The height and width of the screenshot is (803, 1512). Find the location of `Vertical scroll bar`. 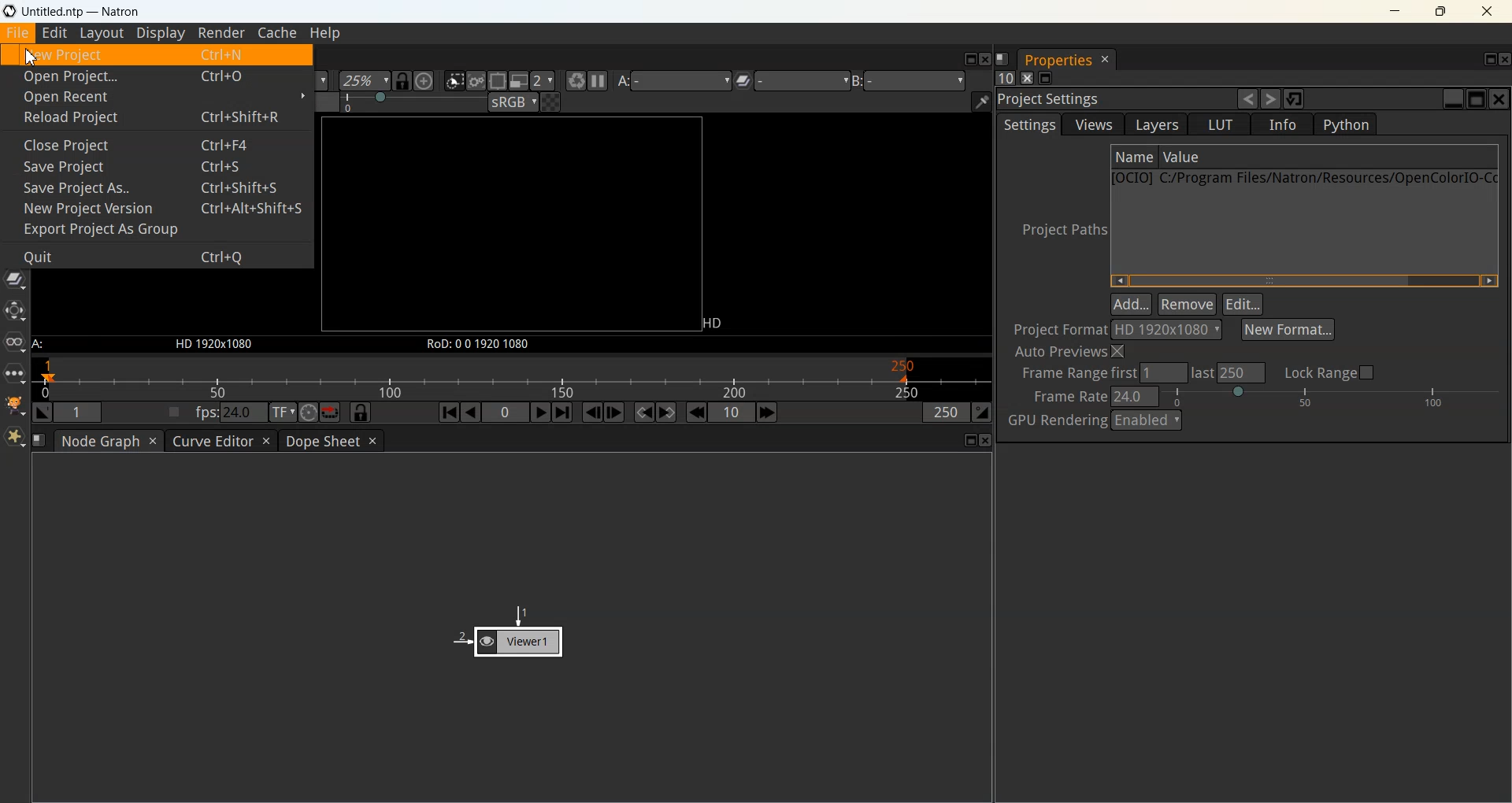

Vertical scroll bar is located at coordinates (1303, 280).